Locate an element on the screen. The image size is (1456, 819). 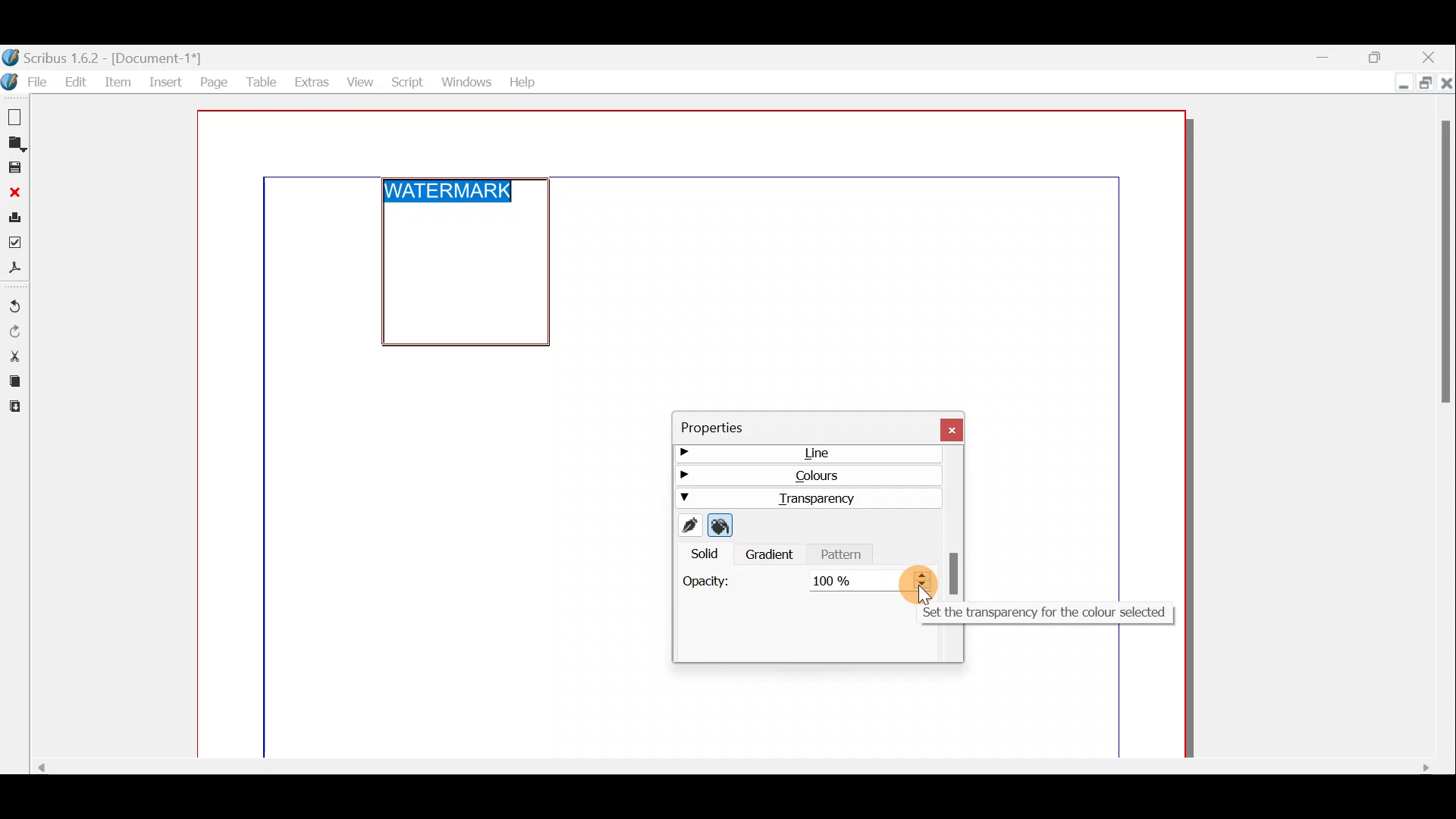
Opacity is located at coordinates (709, 586).